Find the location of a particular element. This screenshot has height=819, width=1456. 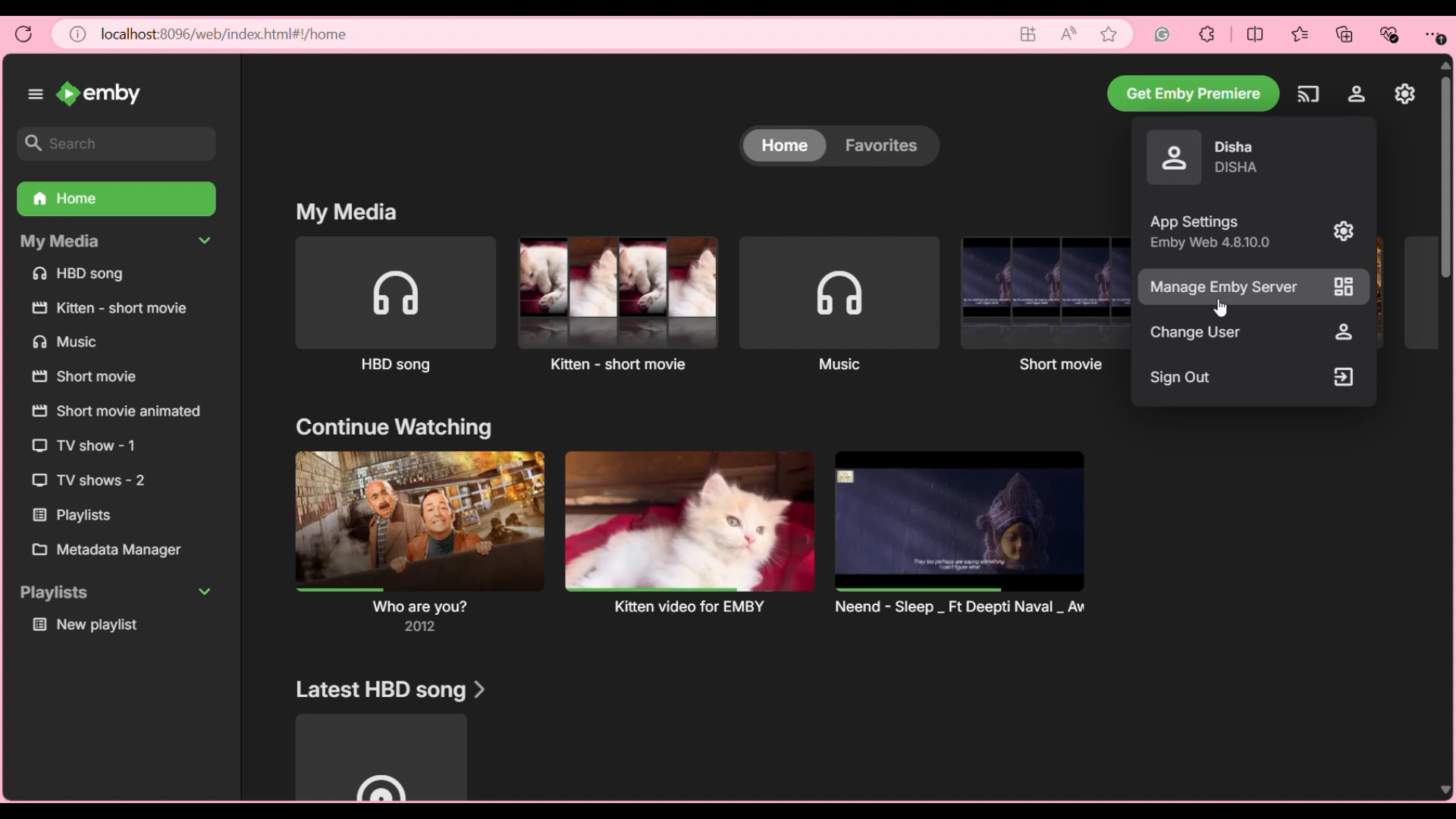

Manage Emby server, highlighted by cursor is located at coordinates (1256, 287).